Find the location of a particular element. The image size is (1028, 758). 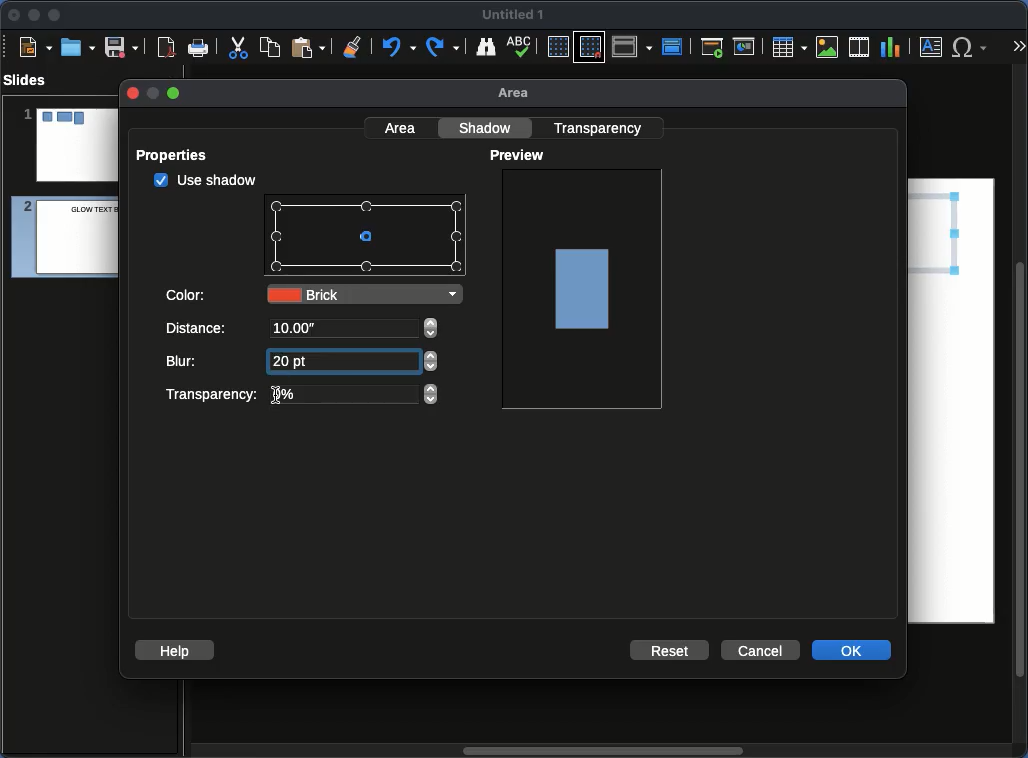

Maximize is located at coordinates (55, 17).